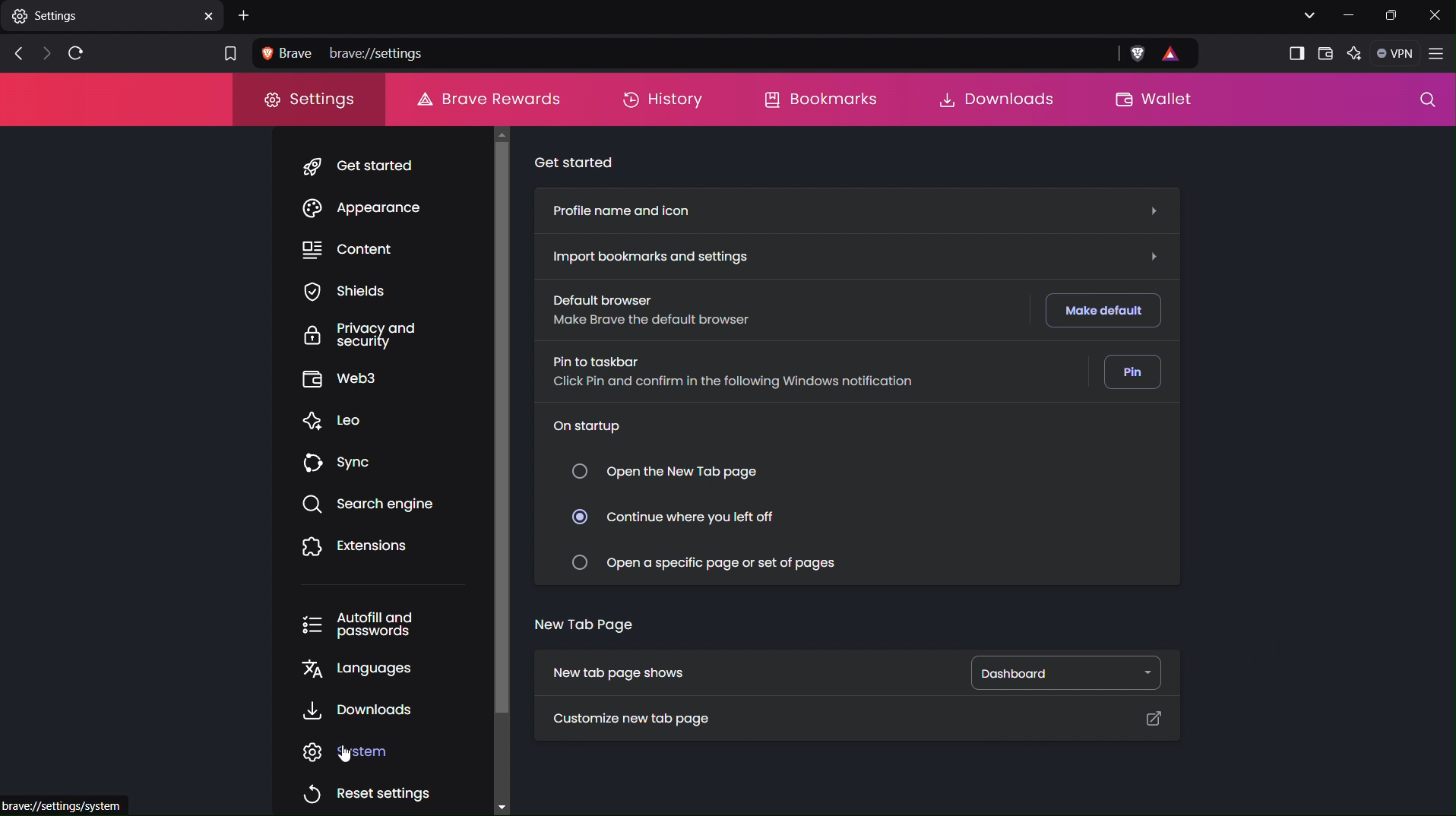  What do you see at coordinates (358, 672) in the screenshot?
I see `Languages` at bounding box center [358, 672].